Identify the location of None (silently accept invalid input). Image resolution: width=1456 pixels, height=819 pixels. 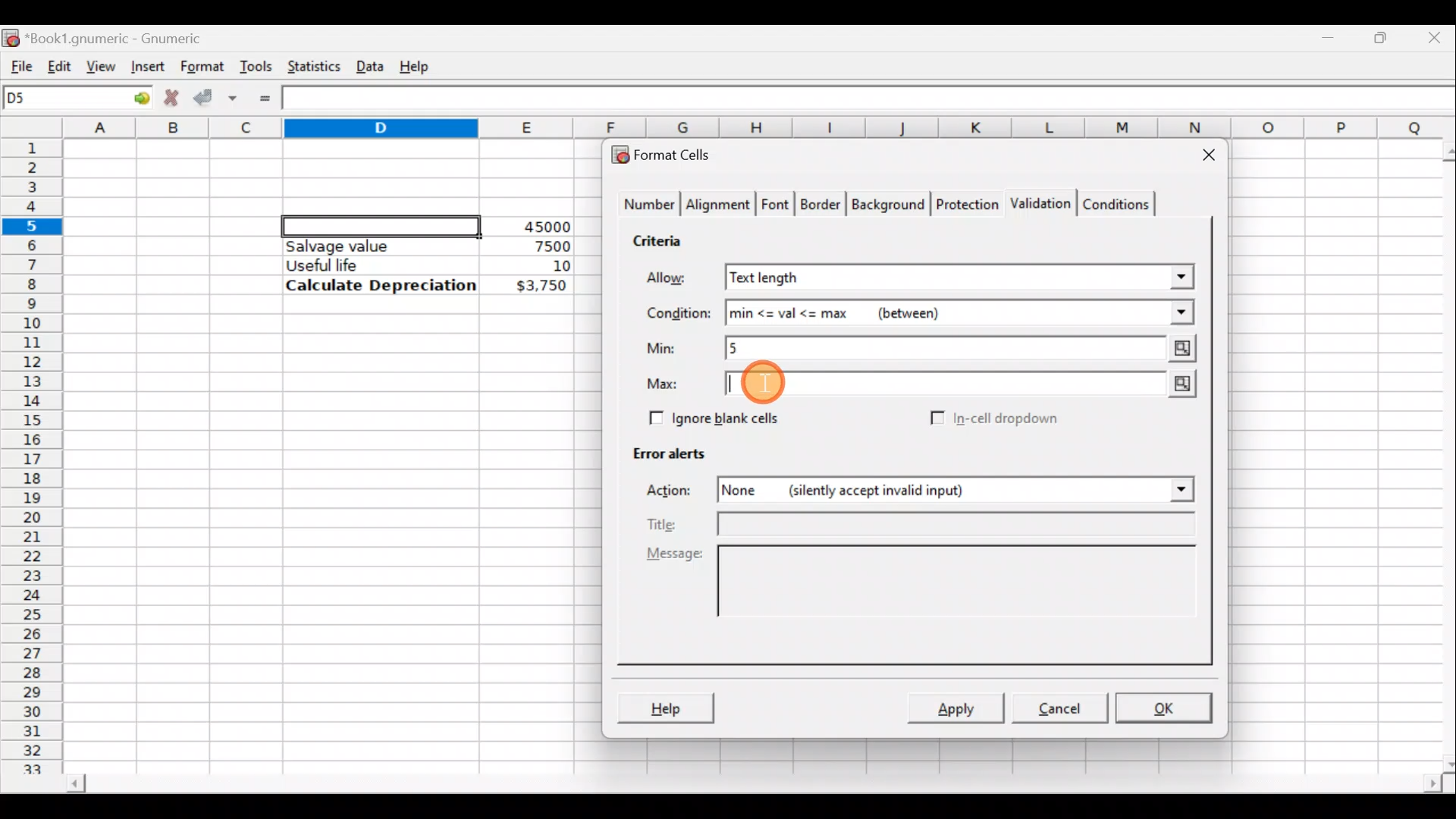
(905, 489).